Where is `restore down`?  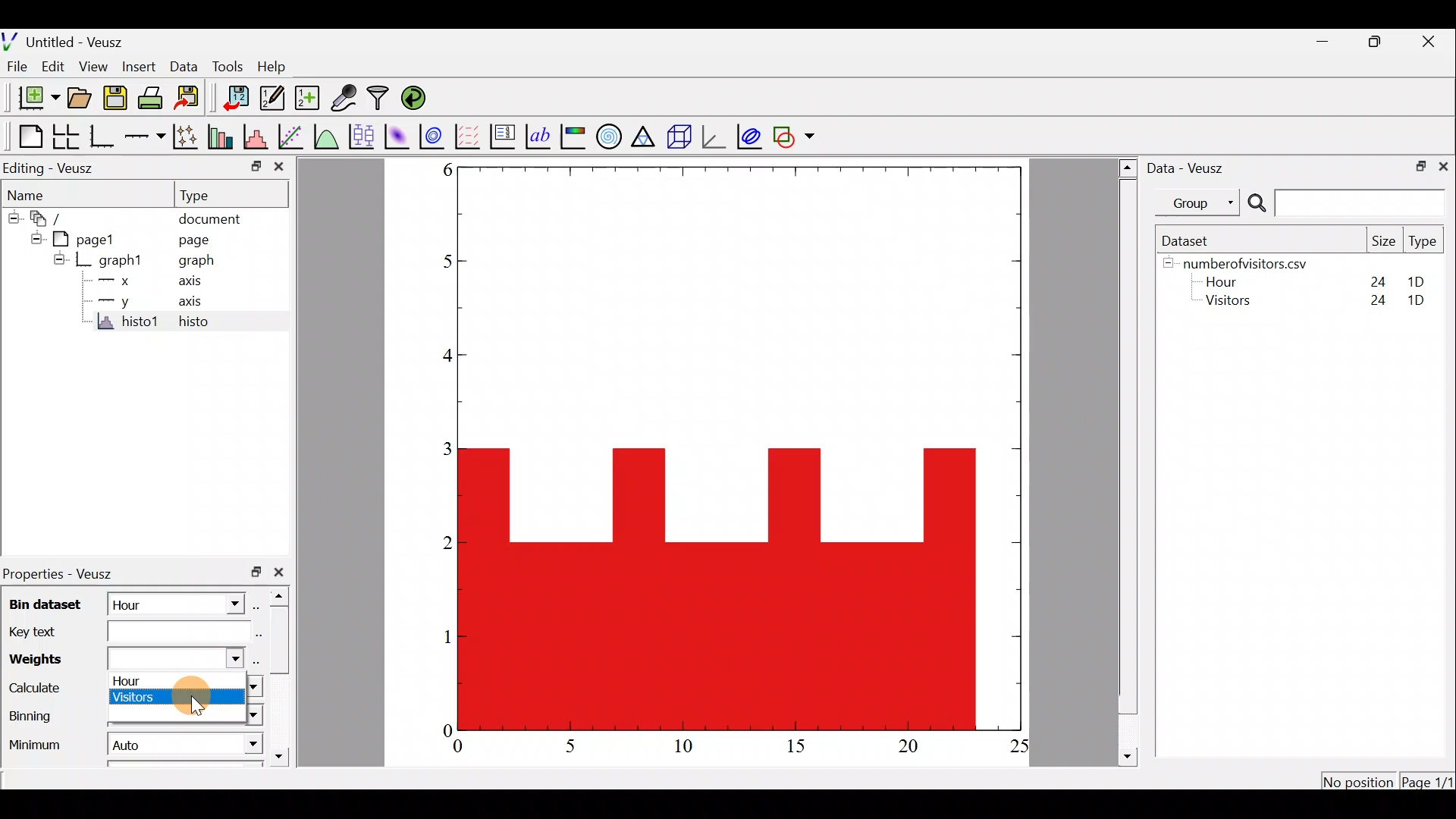 restore down is located at coordinates (253, 572).